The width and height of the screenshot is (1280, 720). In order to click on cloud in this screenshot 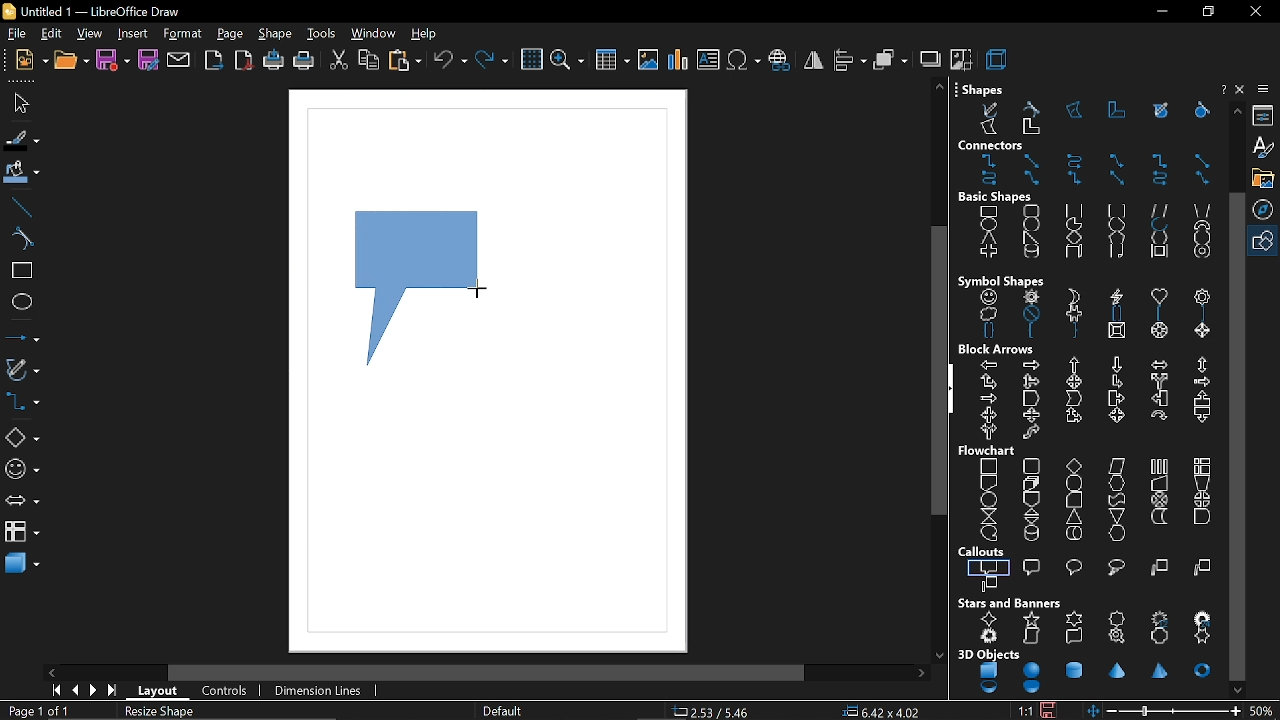, I will do `click(984, 313)`.